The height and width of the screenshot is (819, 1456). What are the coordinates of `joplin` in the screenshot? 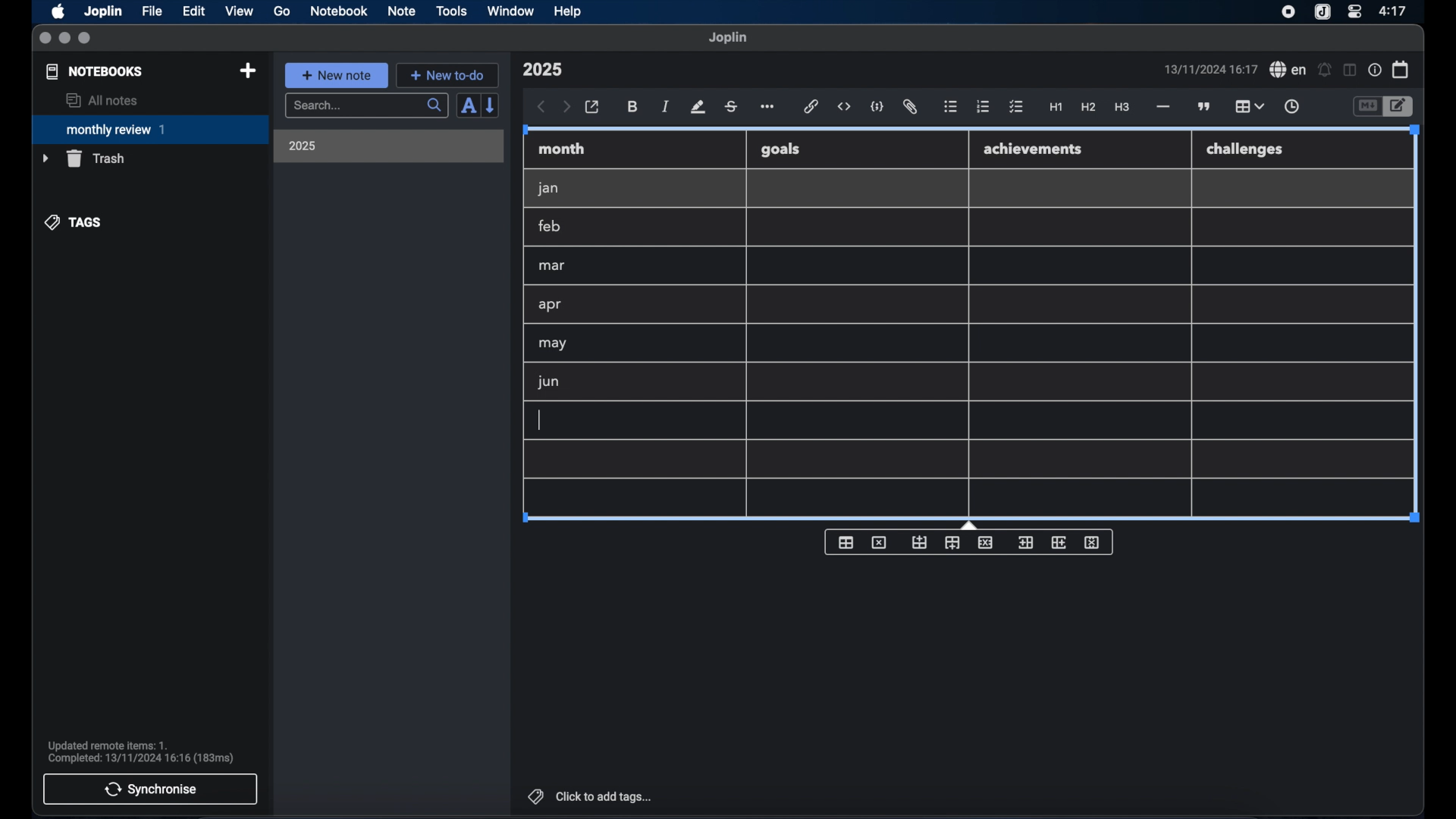 It's located at (728, 37).